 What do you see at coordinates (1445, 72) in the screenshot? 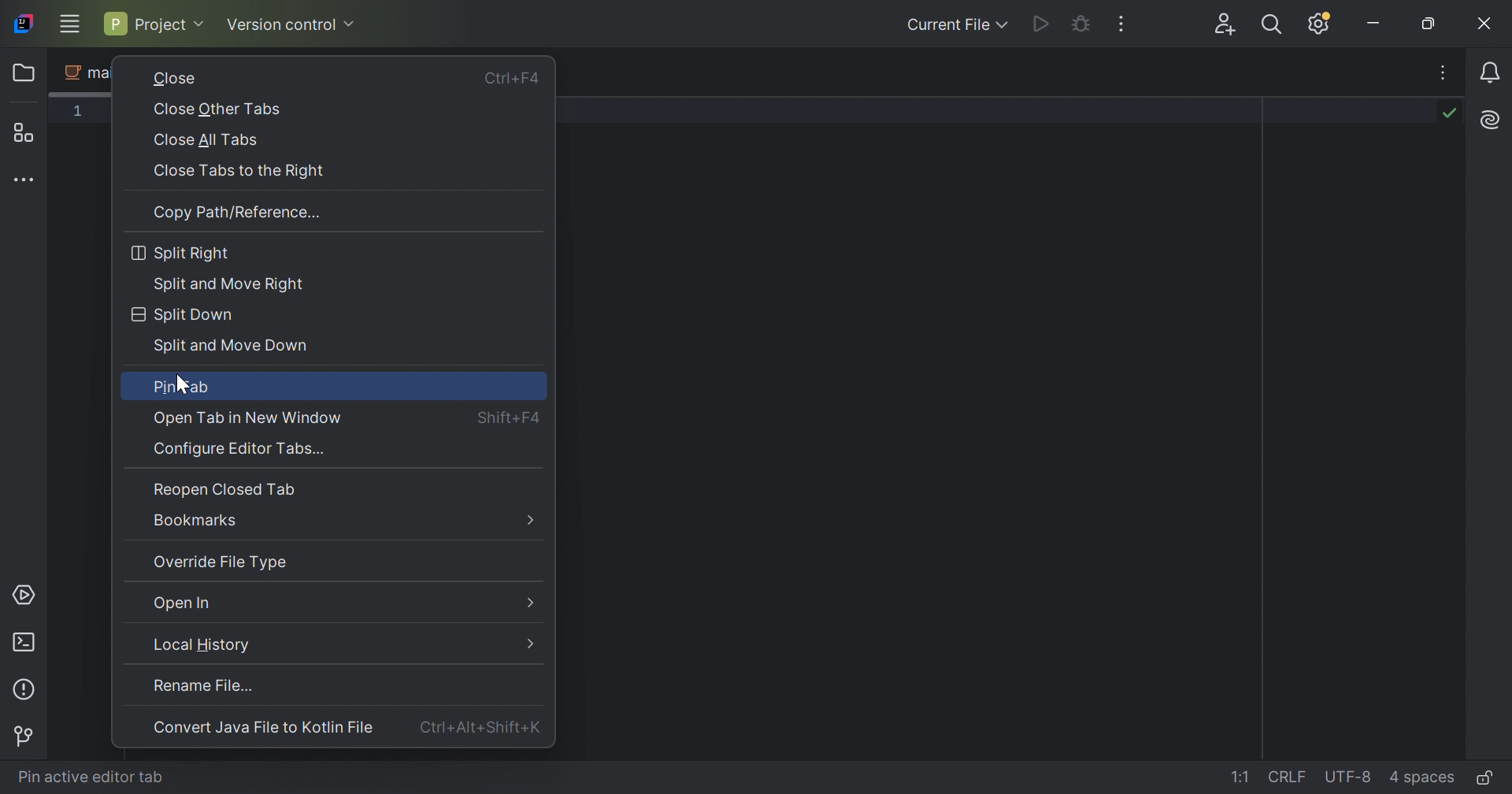
I see `Recent files, tab actions, and more` at bounding box center [1445, 72].